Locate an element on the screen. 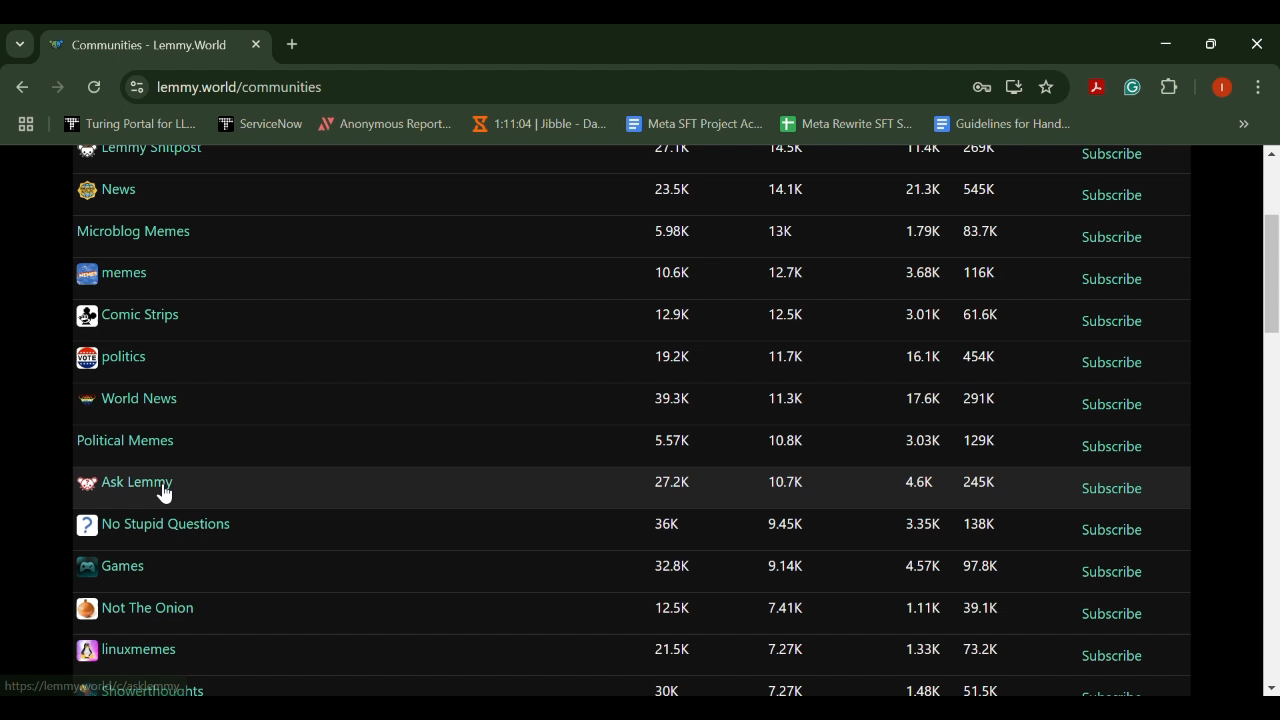 The height and width of the screenshot is (720, 1280). Ask Lemmy is located at coordinates (127, 485).